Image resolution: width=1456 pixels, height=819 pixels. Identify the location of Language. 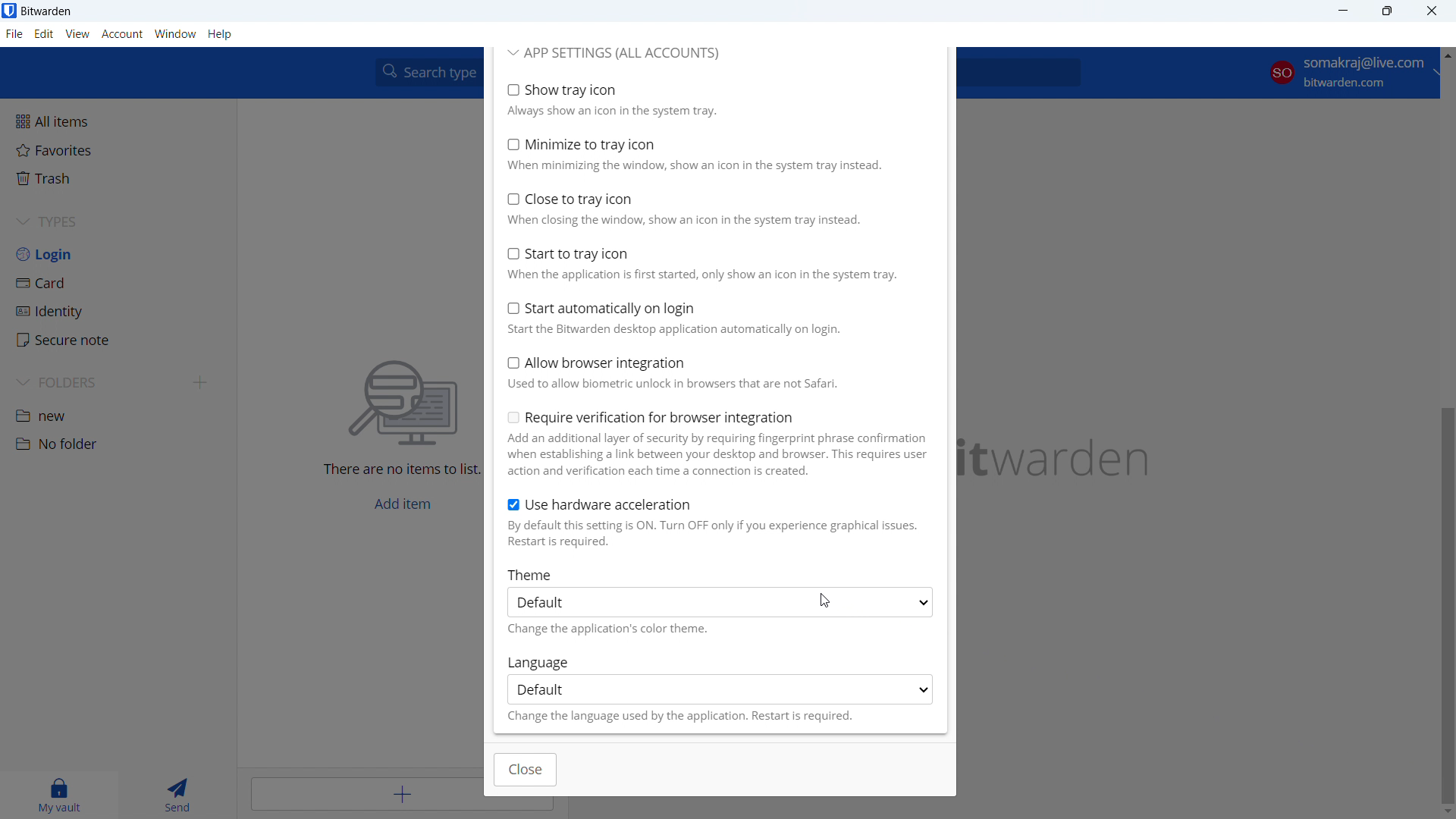
(543, 661).